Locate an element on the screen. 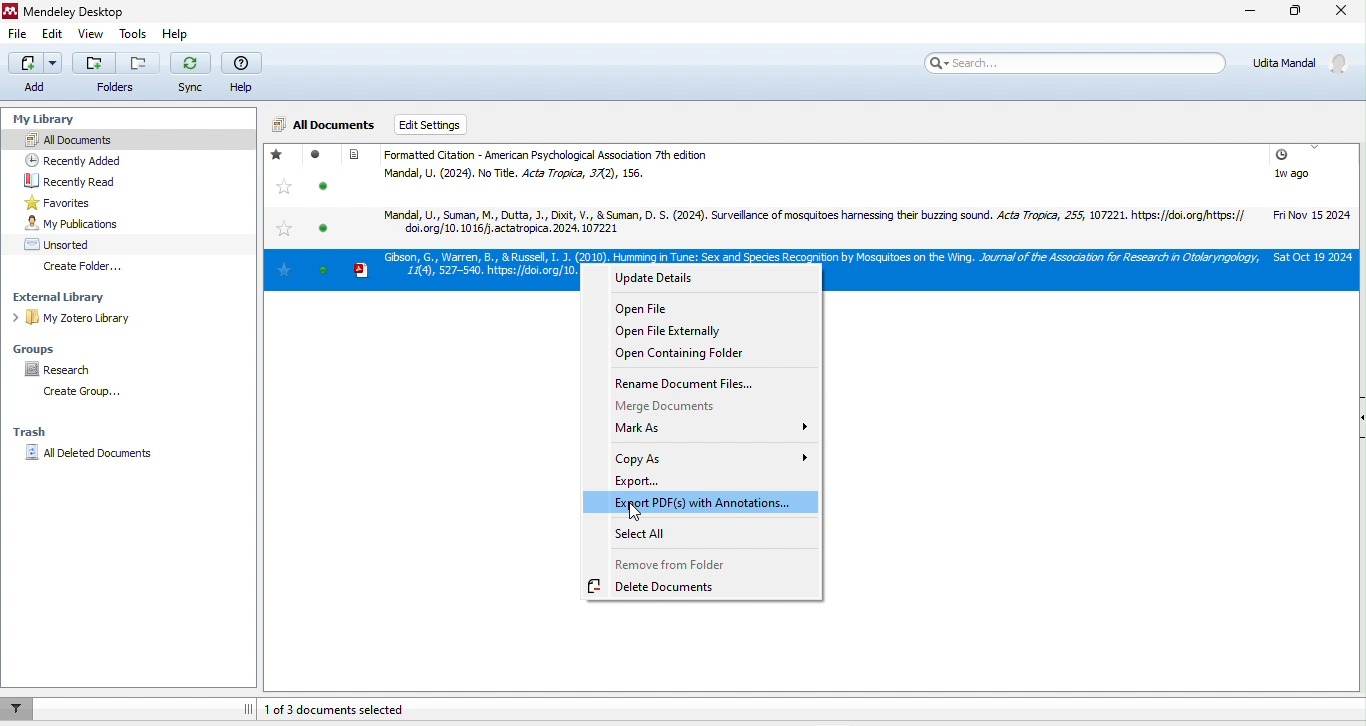 The width and height of the screenshot is (1366, 726). 1 of 3 documents selected is located at coordinates (355, 709).